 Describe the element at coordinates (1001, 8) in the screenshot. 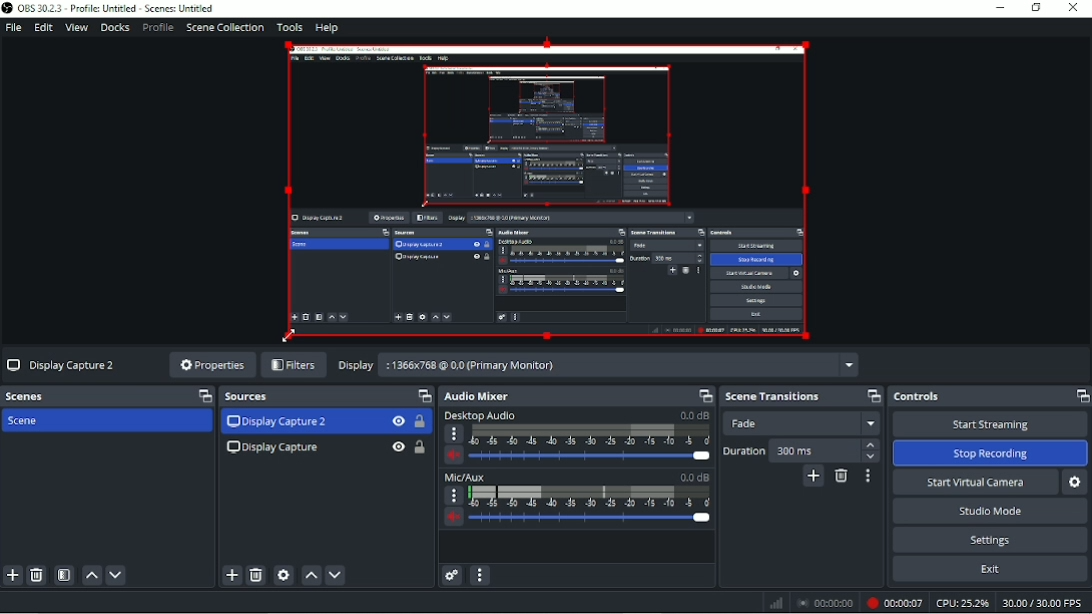

I see `Minimize` at that location.